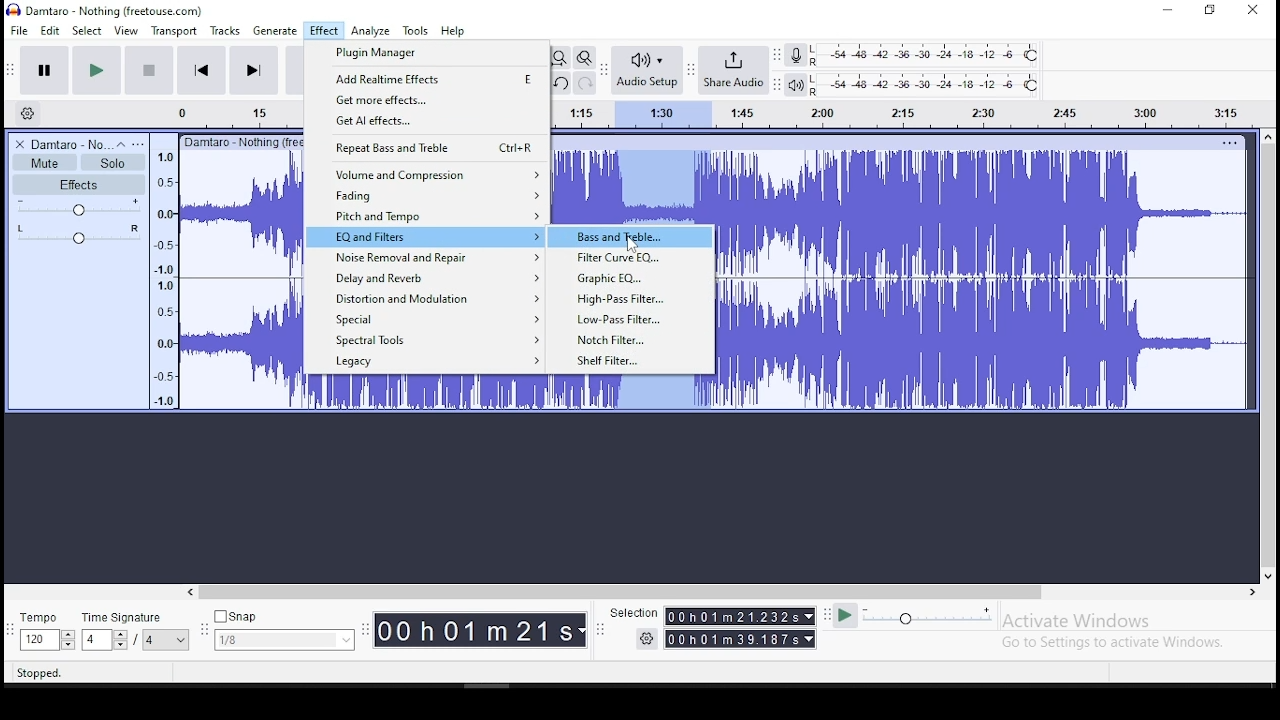 Image resolution: width=1280 pixels, height=720 pixels. What do you see at coordinates (242, 282) in the screenshot?
I see `audio track` at bounding box center [242, 282].